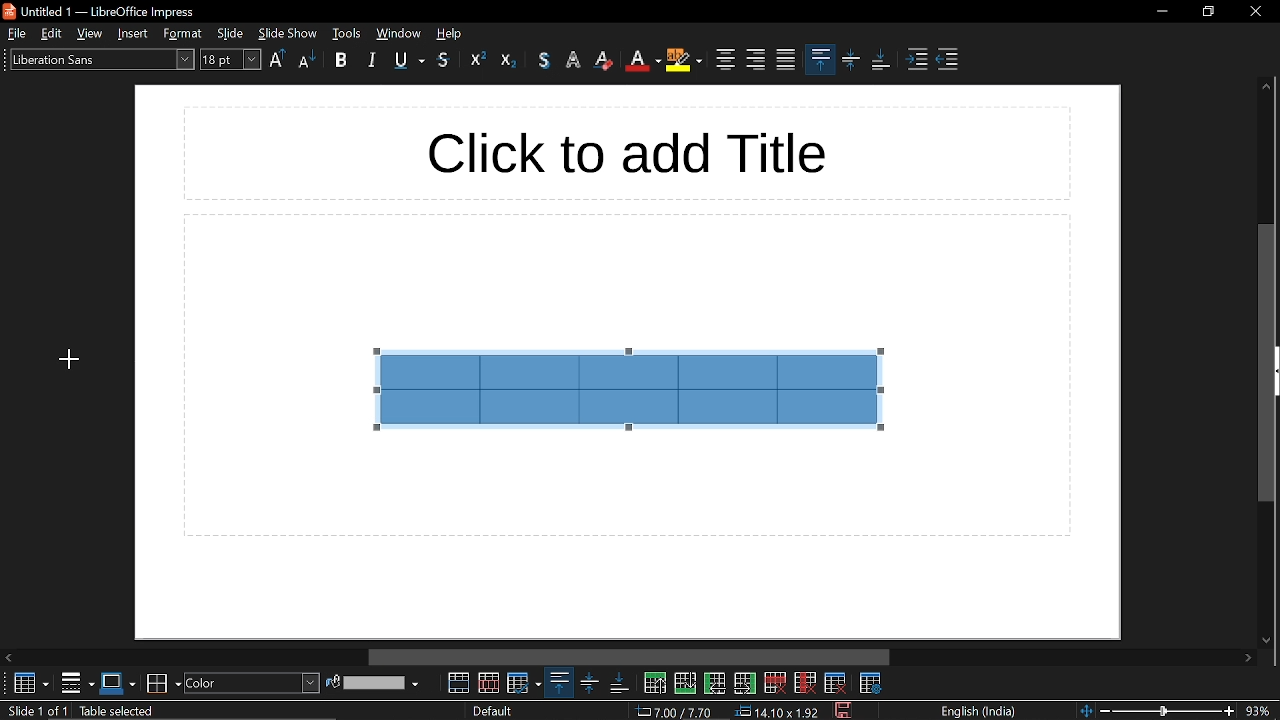 The width and height of the screenshot is (1280, 720). I want to click on fill color, so click(333, 681).